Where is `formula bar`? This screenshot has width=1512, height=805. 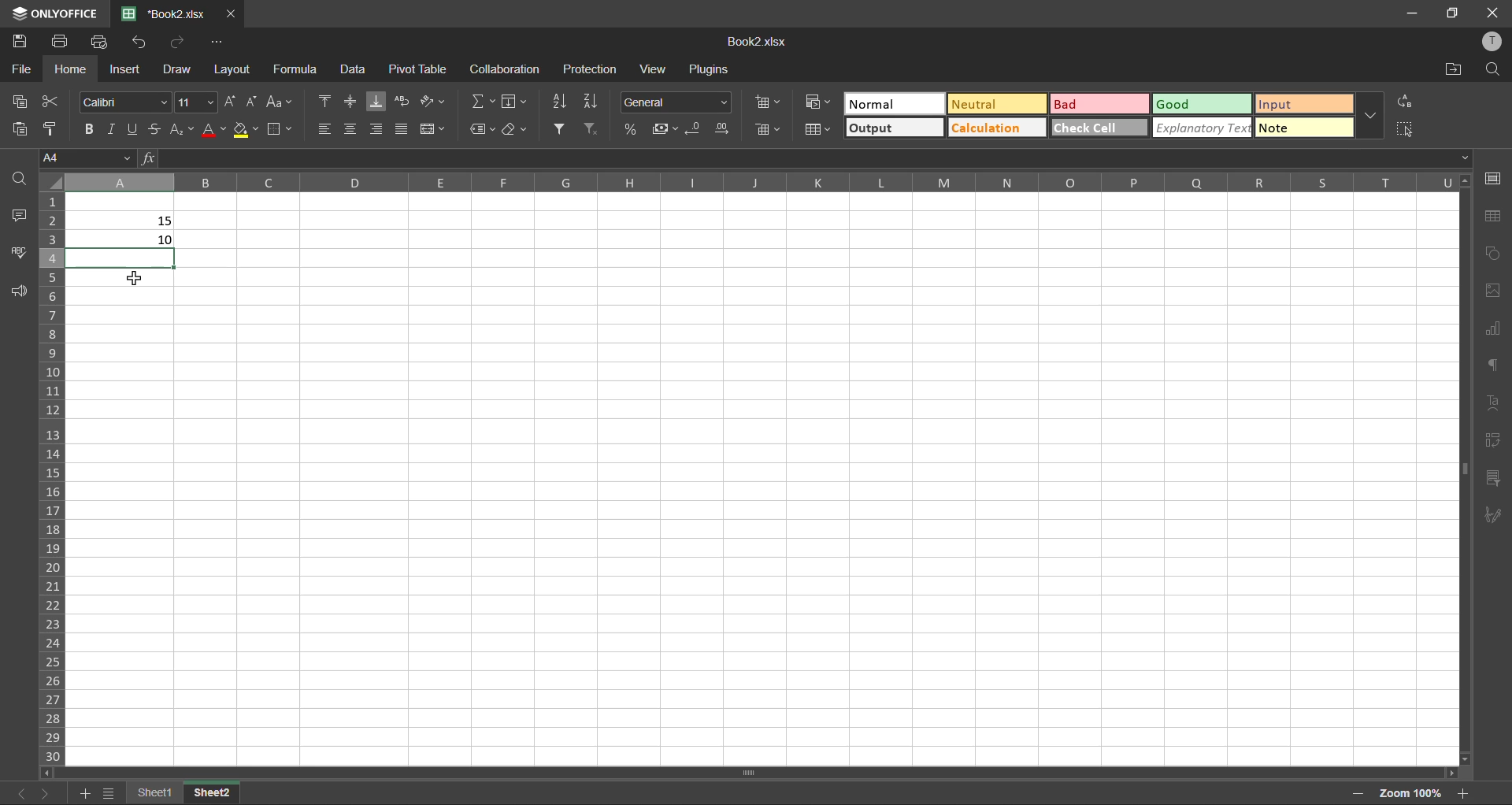
formula bar is located at coordinates (803, 158).